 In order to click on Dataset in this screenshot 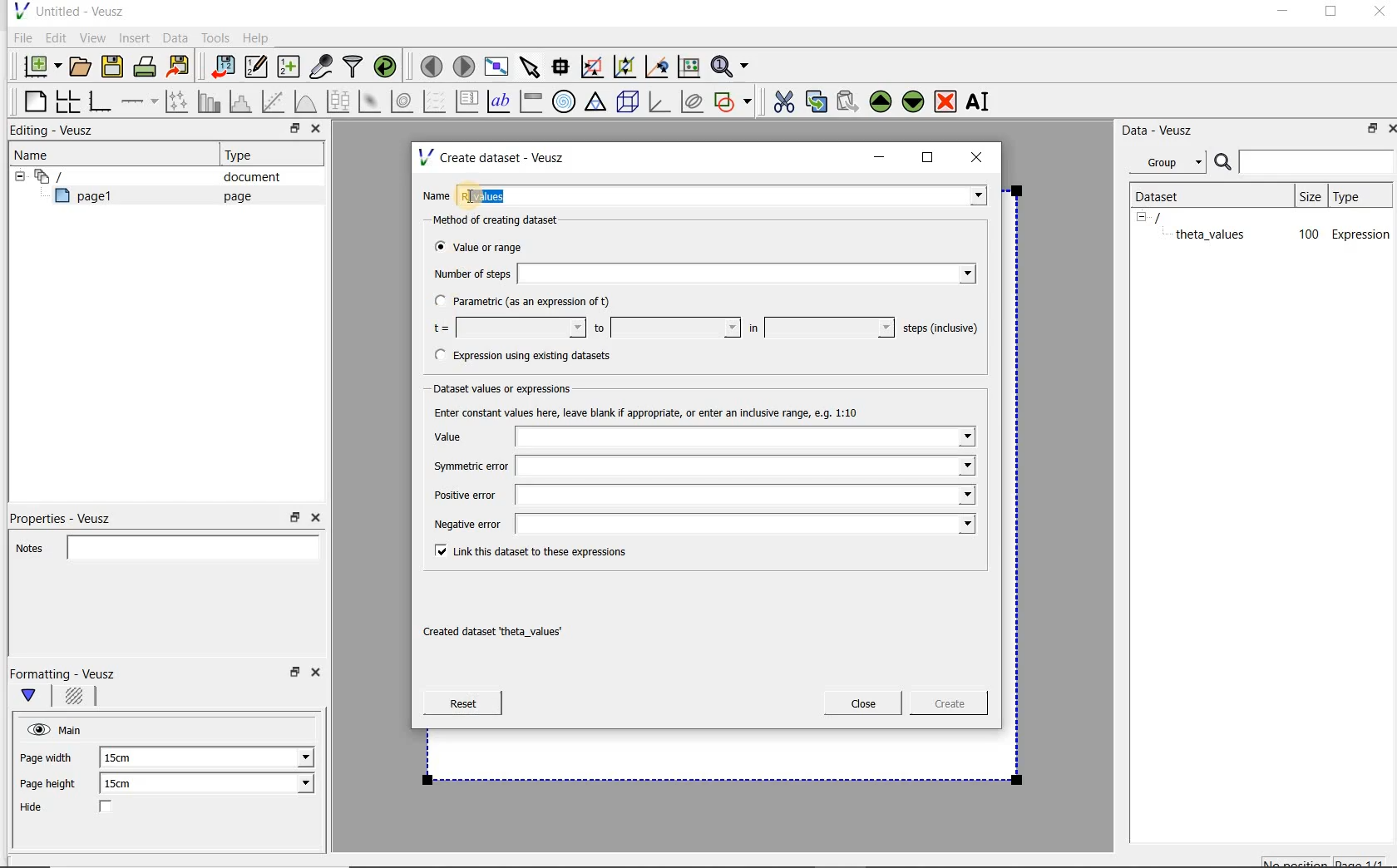, I will do `click(1166, 195)`.